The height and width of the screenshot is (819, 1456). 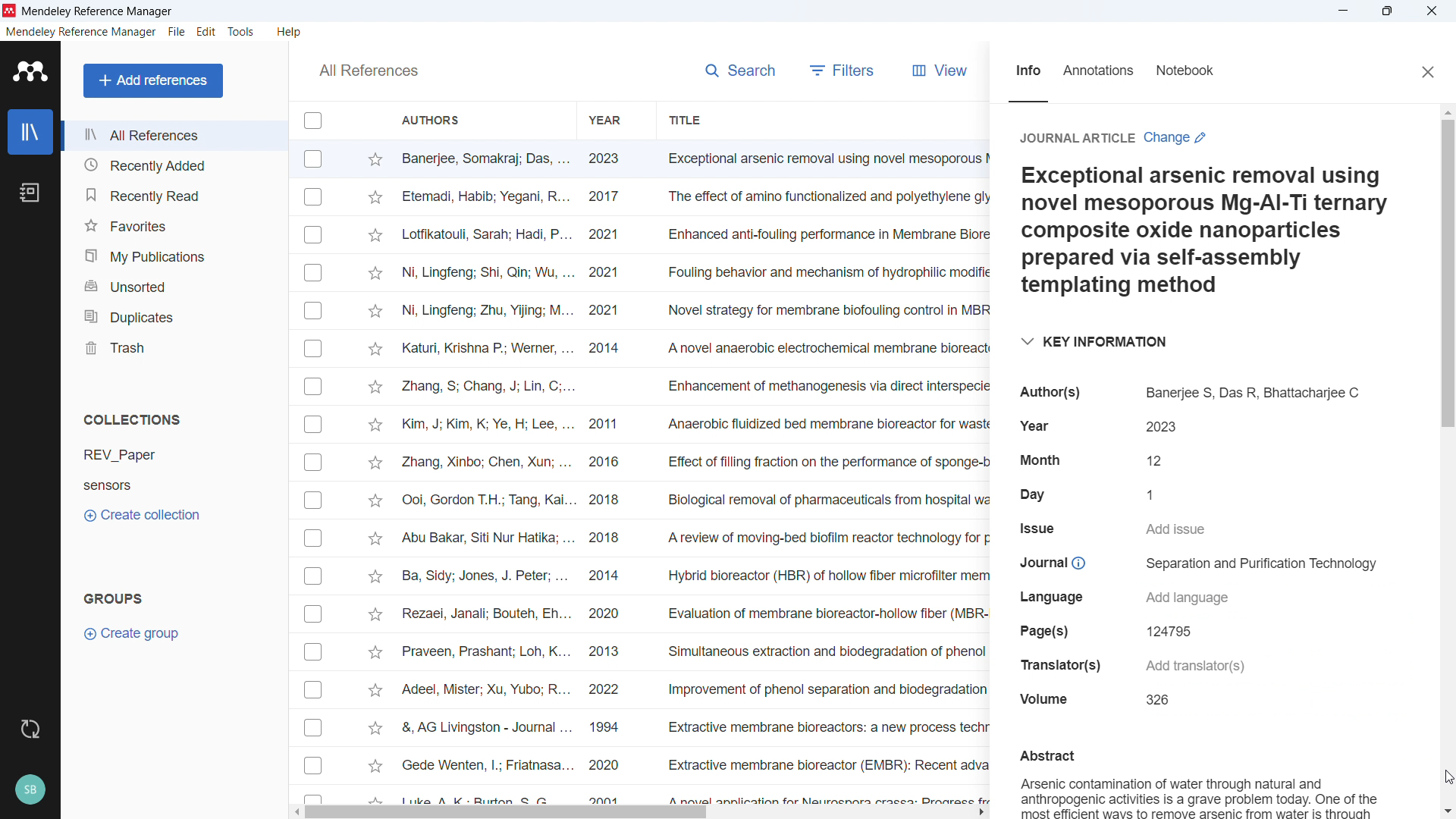 What do you see at coordinates (825, 651) in the screenshot?
I see `simultaneous extraction and biodegradation of phenol in a hollow fiber support` at bounding box center [825, 651].